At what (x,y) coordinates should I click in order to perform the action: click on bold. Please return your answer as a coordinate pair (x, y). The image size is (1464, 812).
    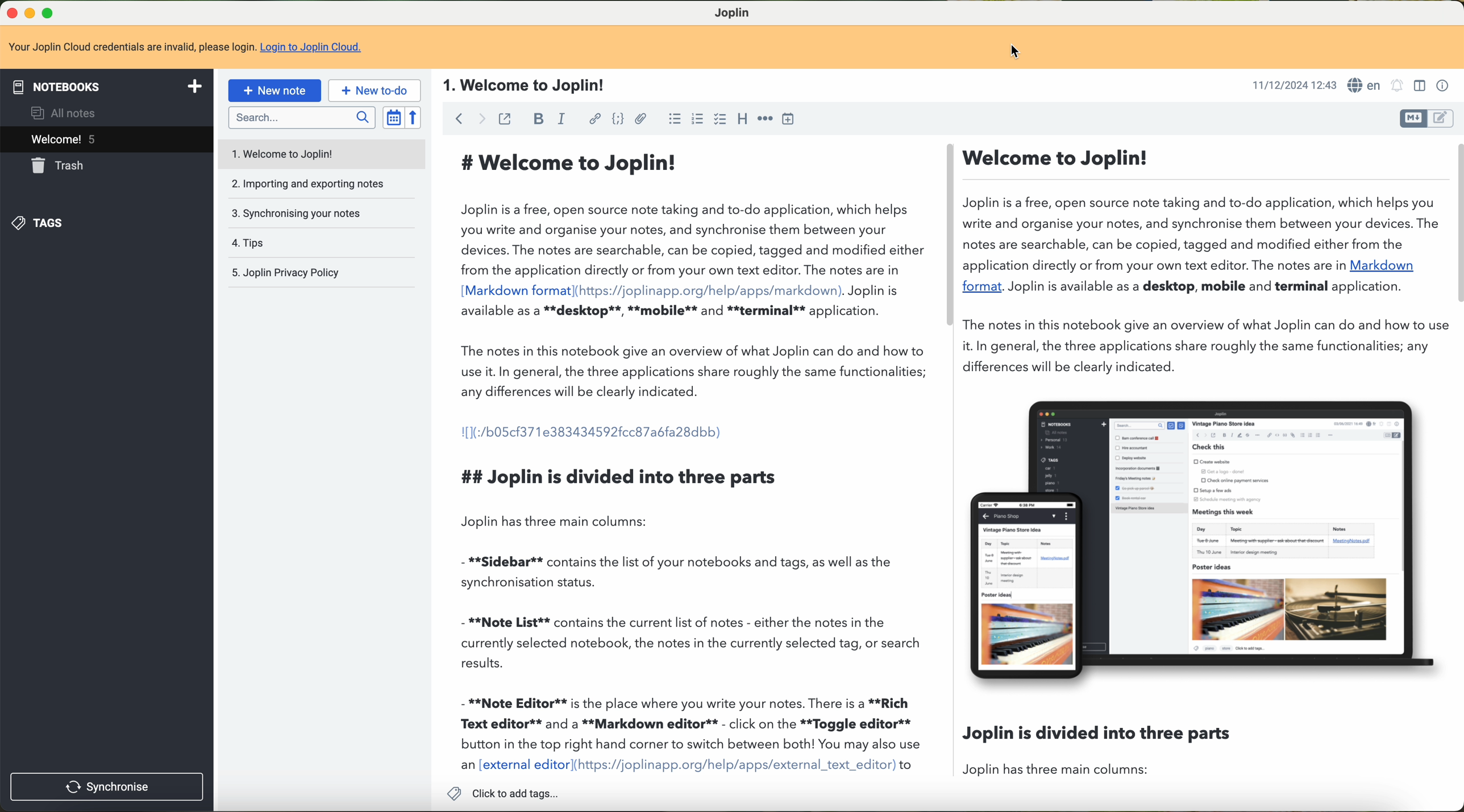
    Looking at the image, I should click on (536, 118).